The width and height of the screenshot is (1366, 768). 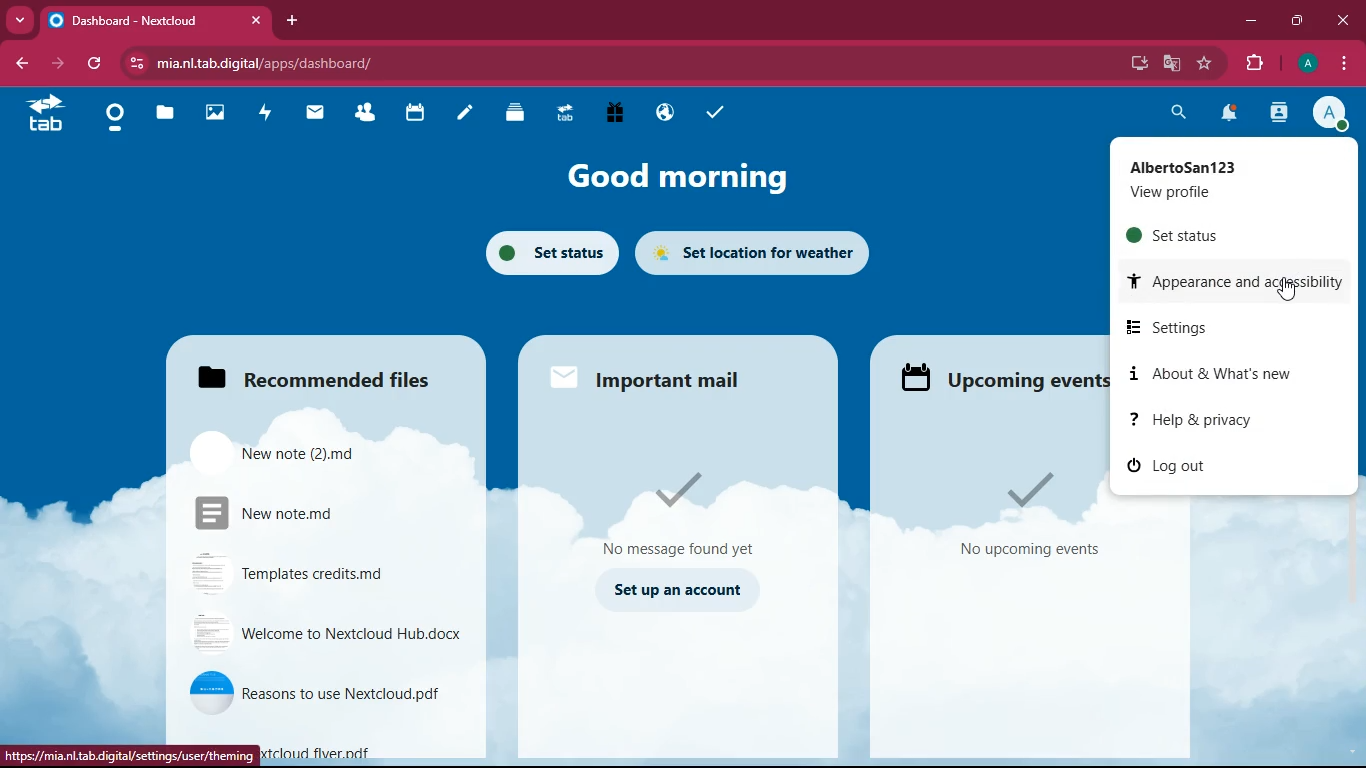 What do you see at coordinates (1212, 466) in the screenshot?
I see `log out` at bounding box center [1212, 466].